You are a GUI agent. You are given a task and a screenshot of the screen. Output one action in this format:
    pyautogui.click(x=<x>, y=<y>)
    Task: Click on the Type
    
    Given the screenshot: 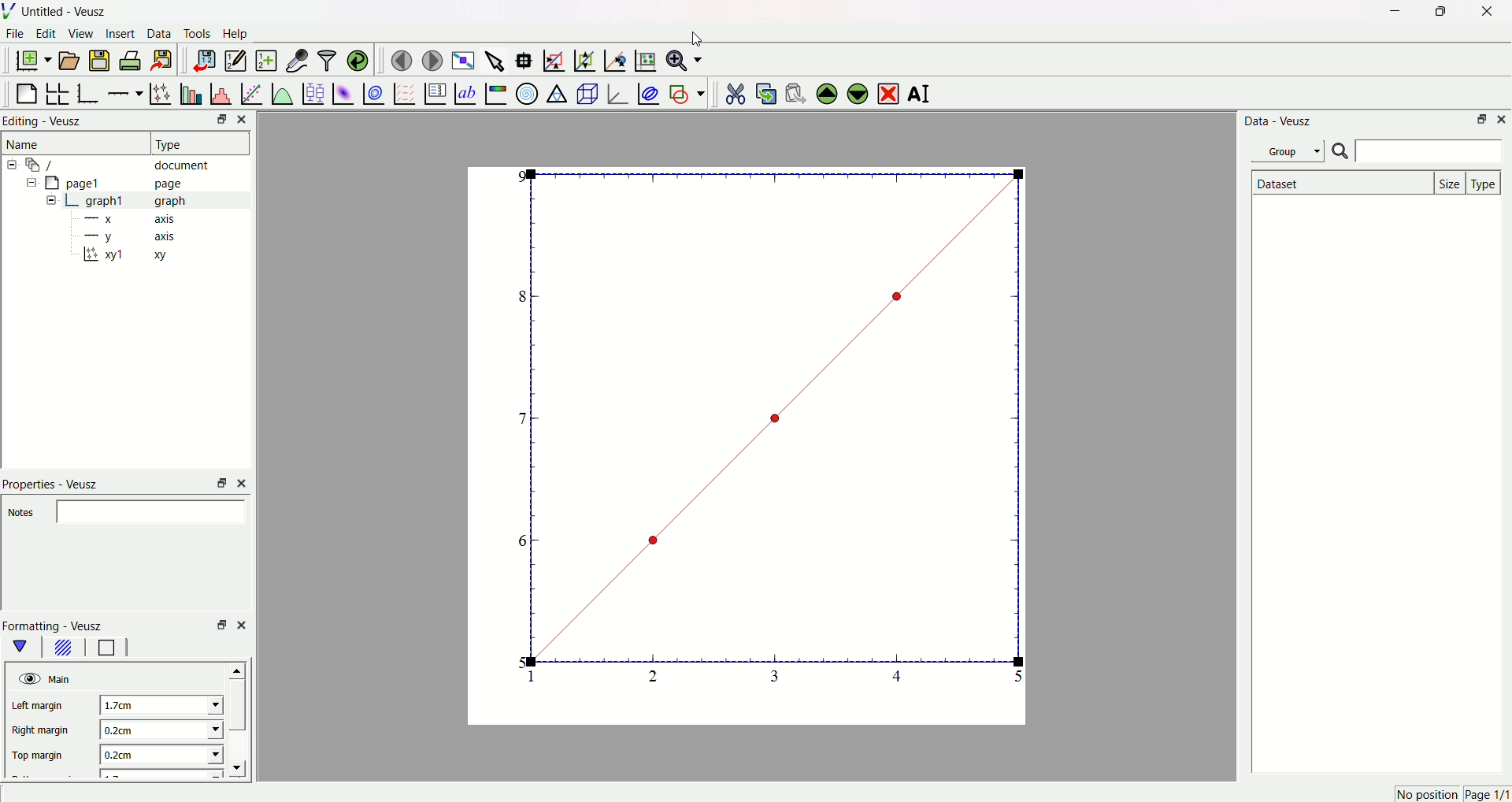 What is the action you would take?
    pyautogui.click(x=1485, y=182)
    